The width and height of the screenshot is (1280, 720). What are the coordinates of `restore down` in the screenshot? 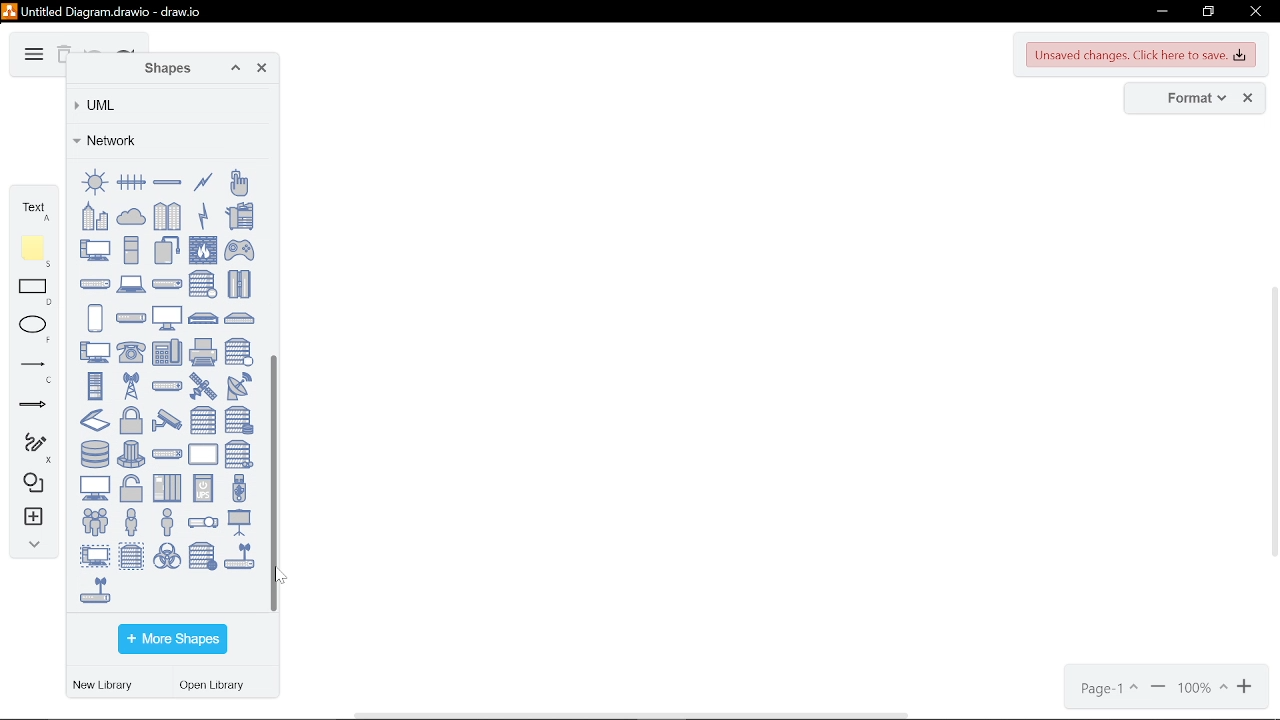 It's located at (1208, 12).